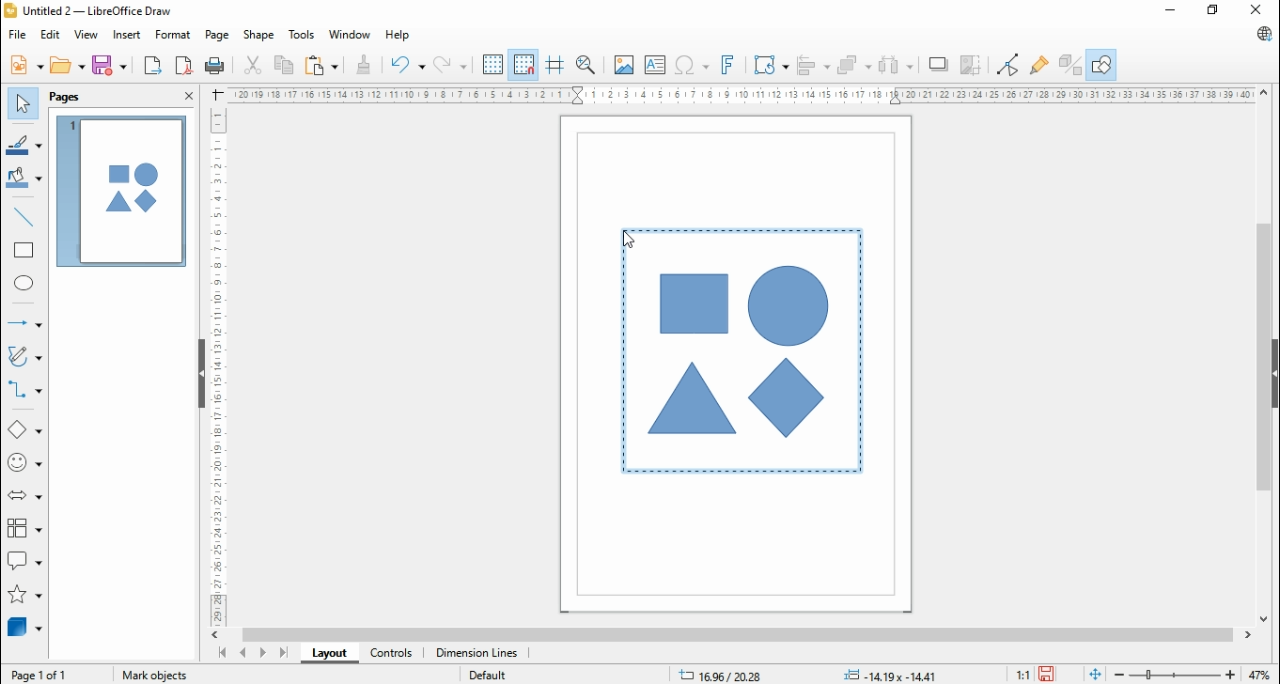  I want to click on controls, so click(390, 654).